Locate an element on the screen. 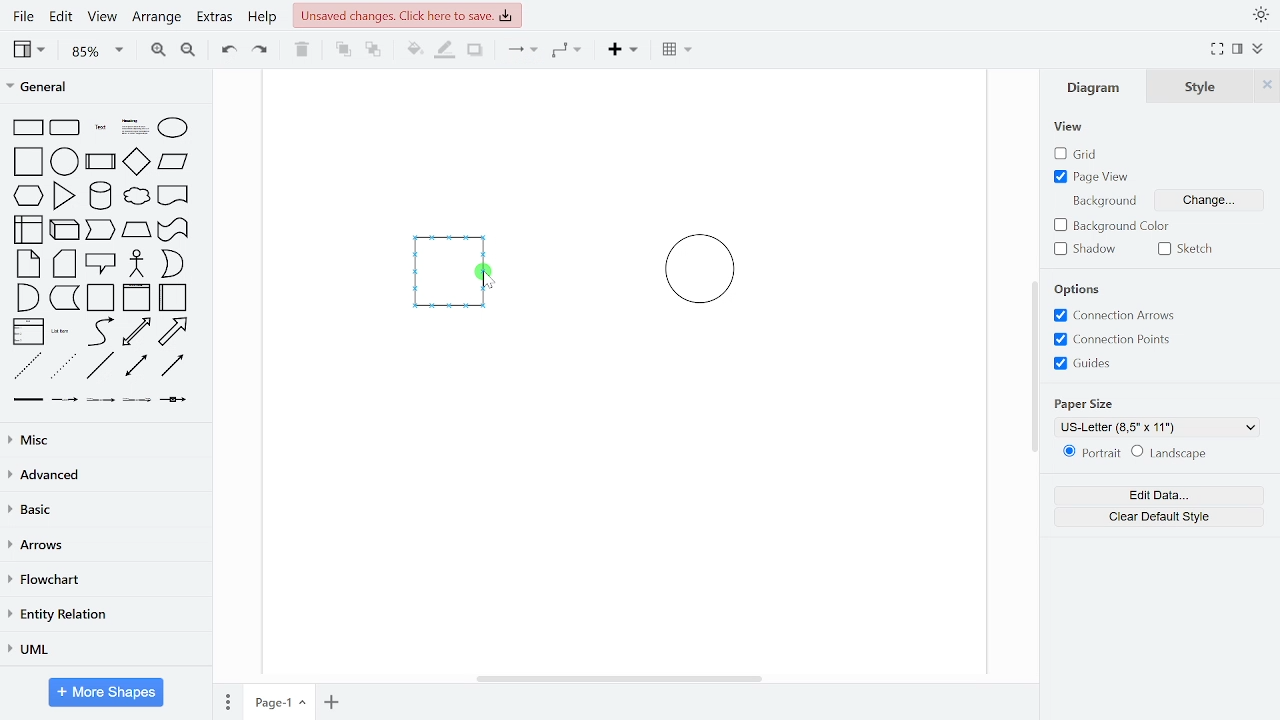 The height and width of the screenshot is (720, 1280). delete is located at coordinates (302, 49).